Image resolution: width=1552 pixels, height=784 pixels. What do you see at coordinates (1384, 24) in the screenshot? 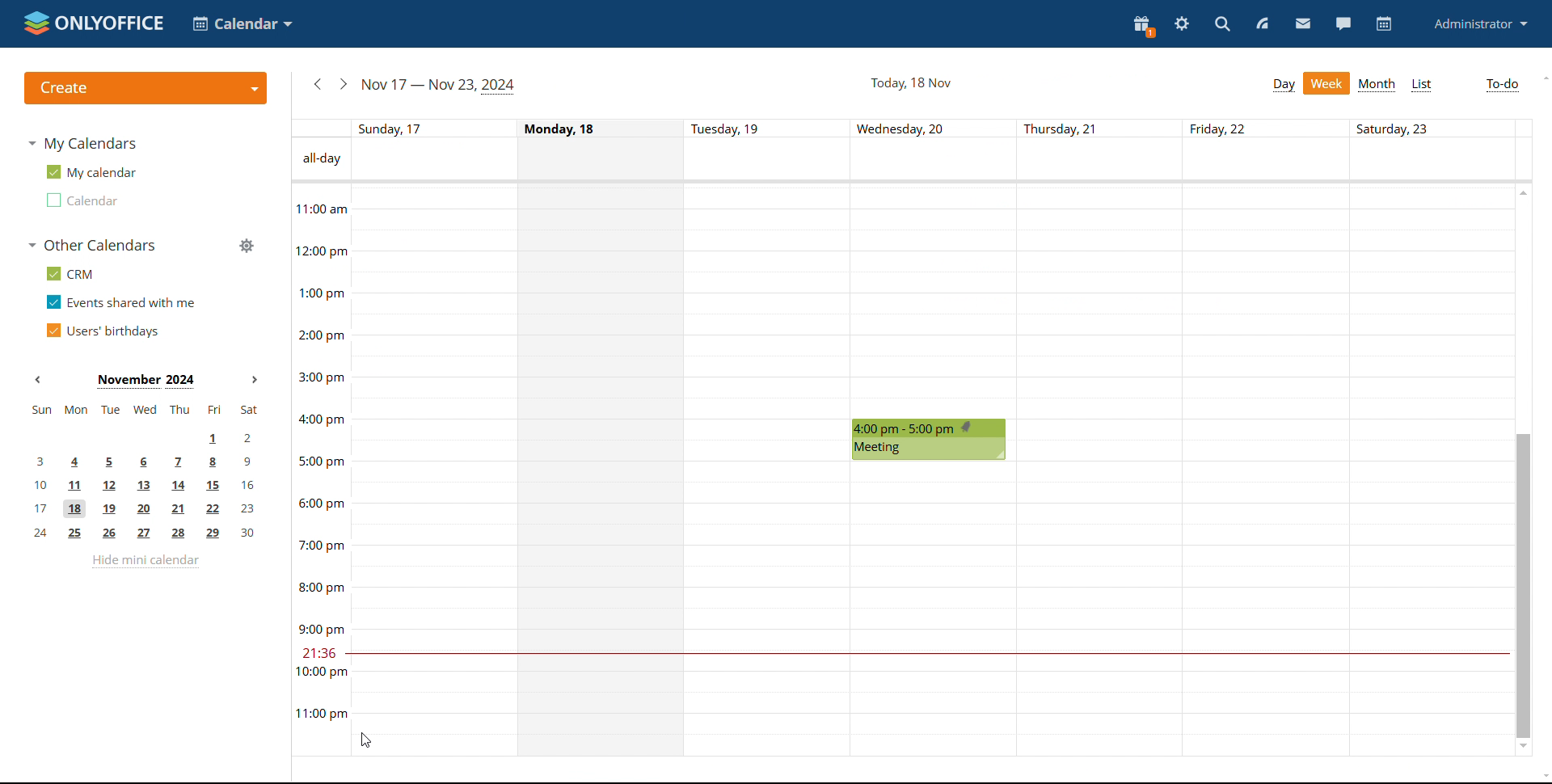
I see `calendar` at bounding box center [1384, 24].